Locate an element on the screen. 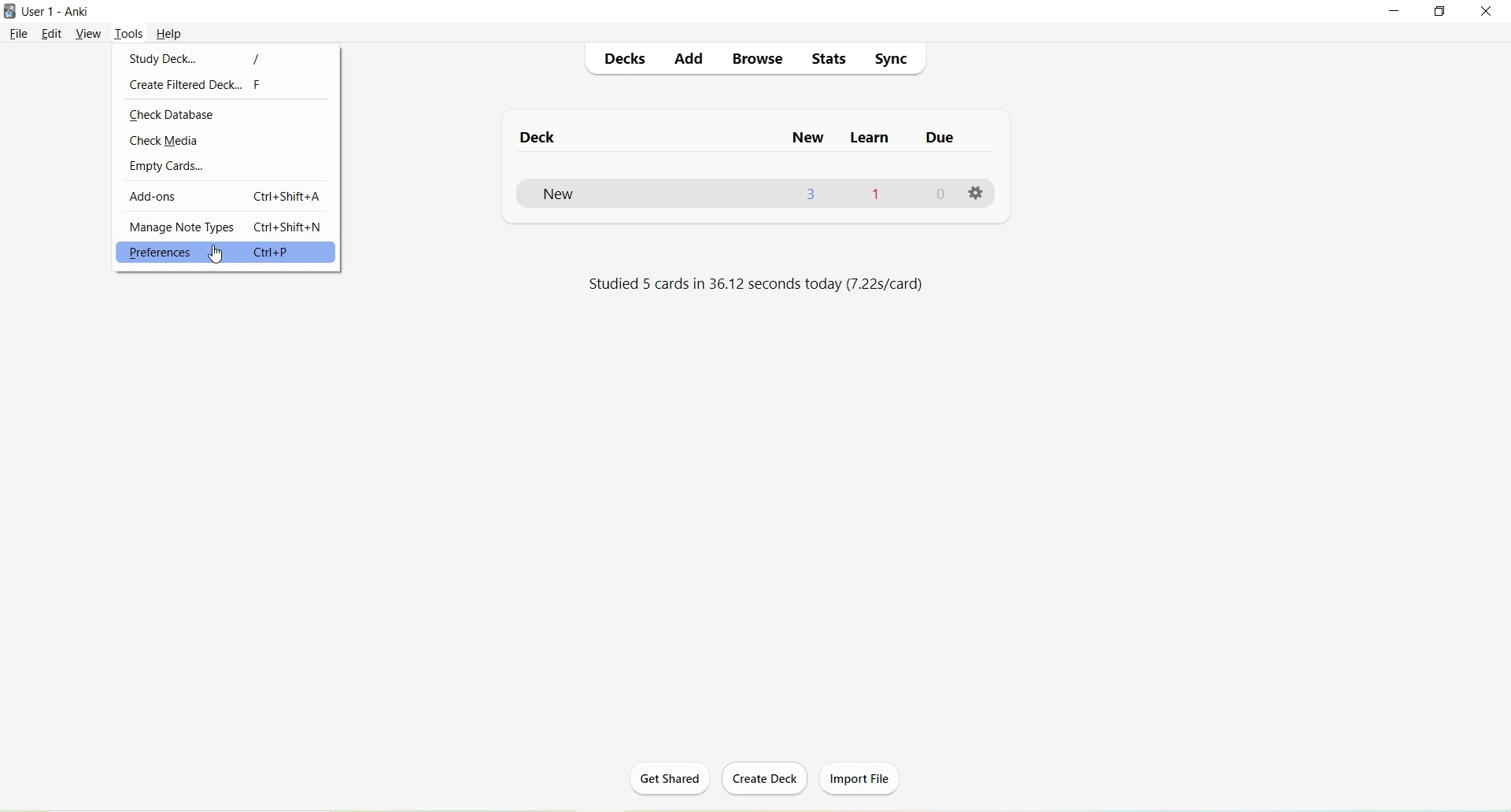 This screenshot has width=1511, height=812. User 1 - Anki is located at coordinates (58, 13).